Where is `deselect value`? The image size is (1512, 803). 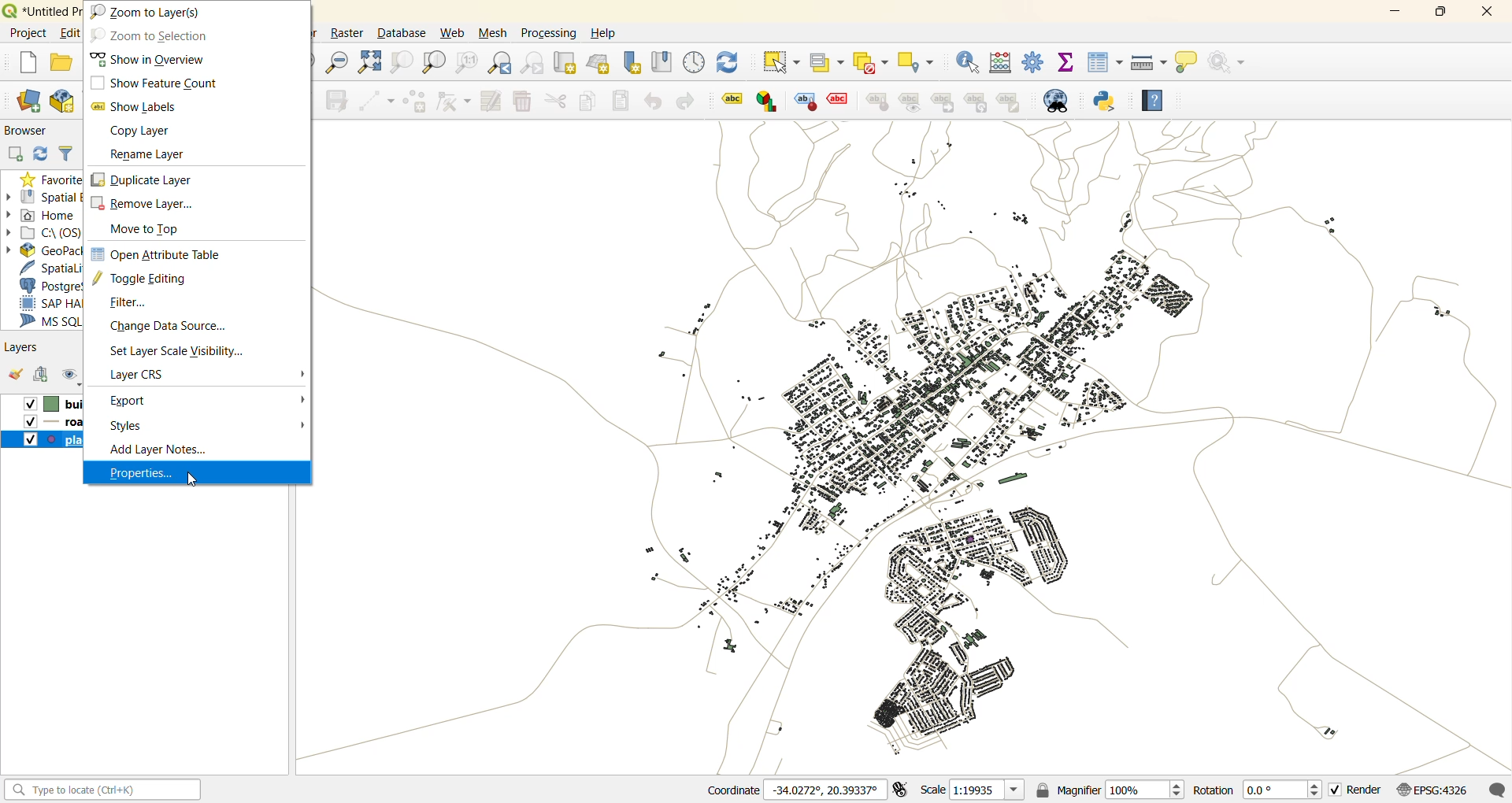 deselect value is located at coordinates (872, 62).